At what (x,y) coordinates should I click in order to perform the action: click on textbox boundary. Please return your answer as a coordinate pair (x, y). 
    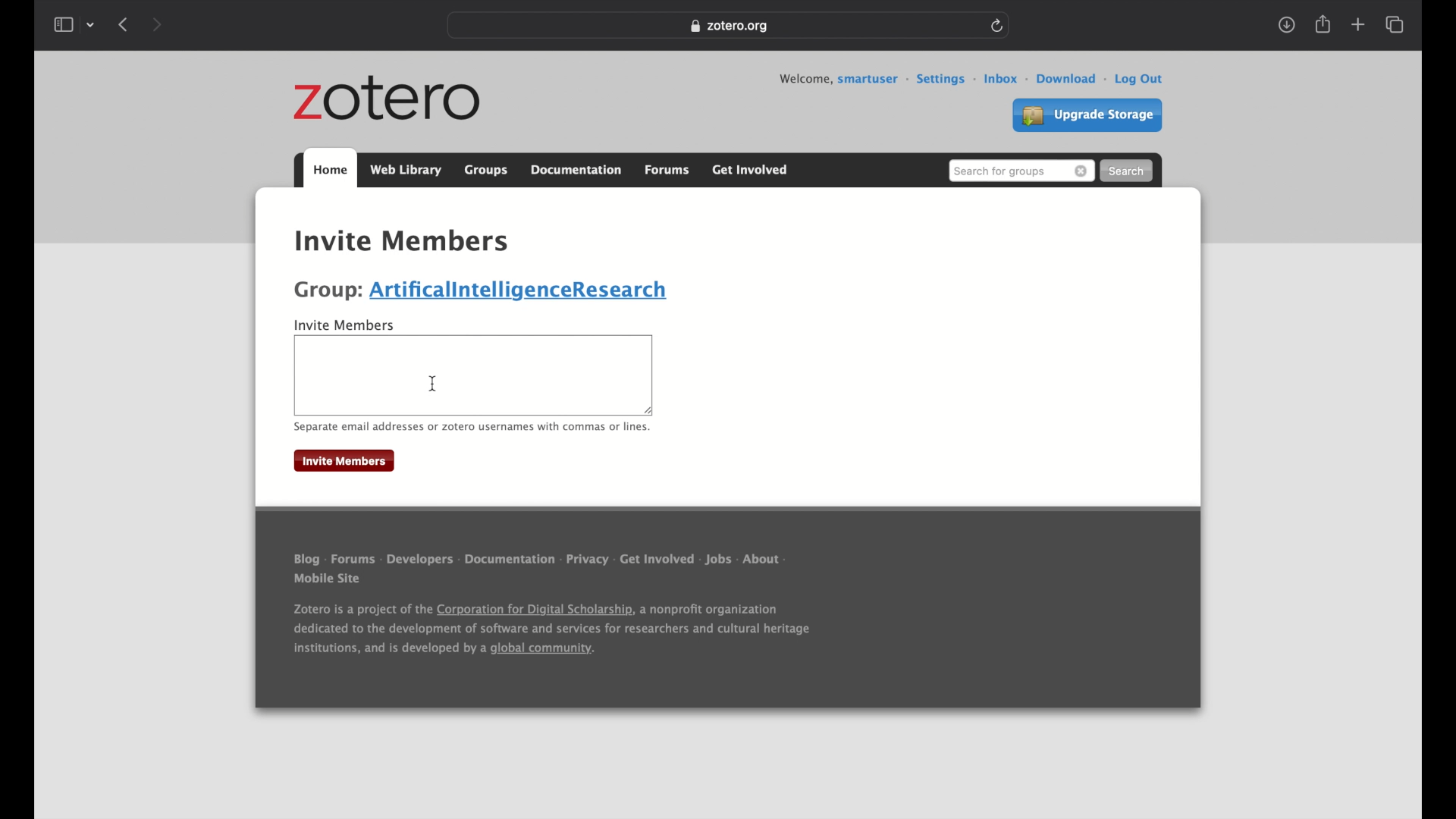
    Looking at the image, I should click on (297, 372).